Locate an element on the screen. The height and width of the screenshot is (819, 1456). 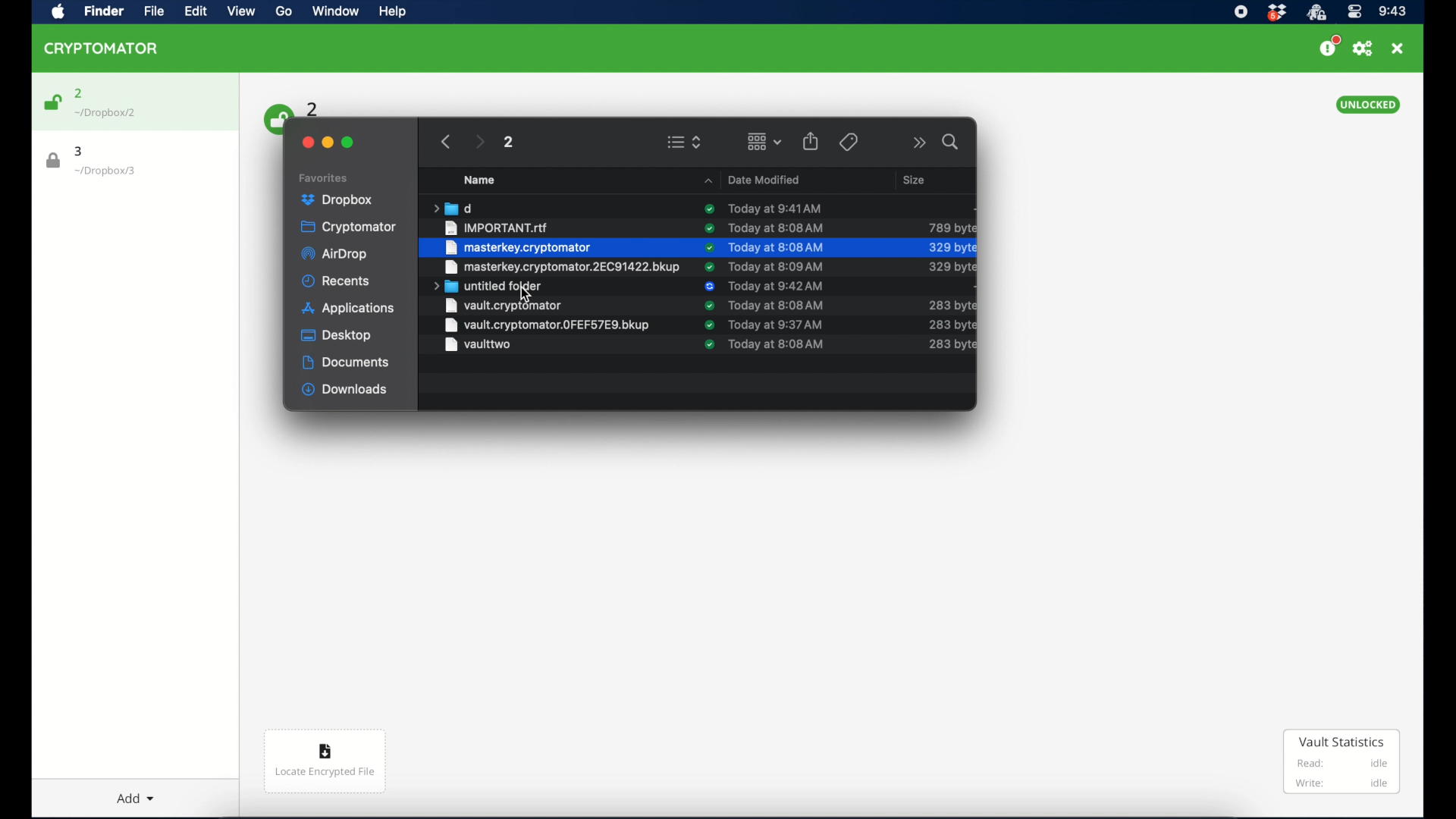
vault statistics is located at coordinates (1342, 763).